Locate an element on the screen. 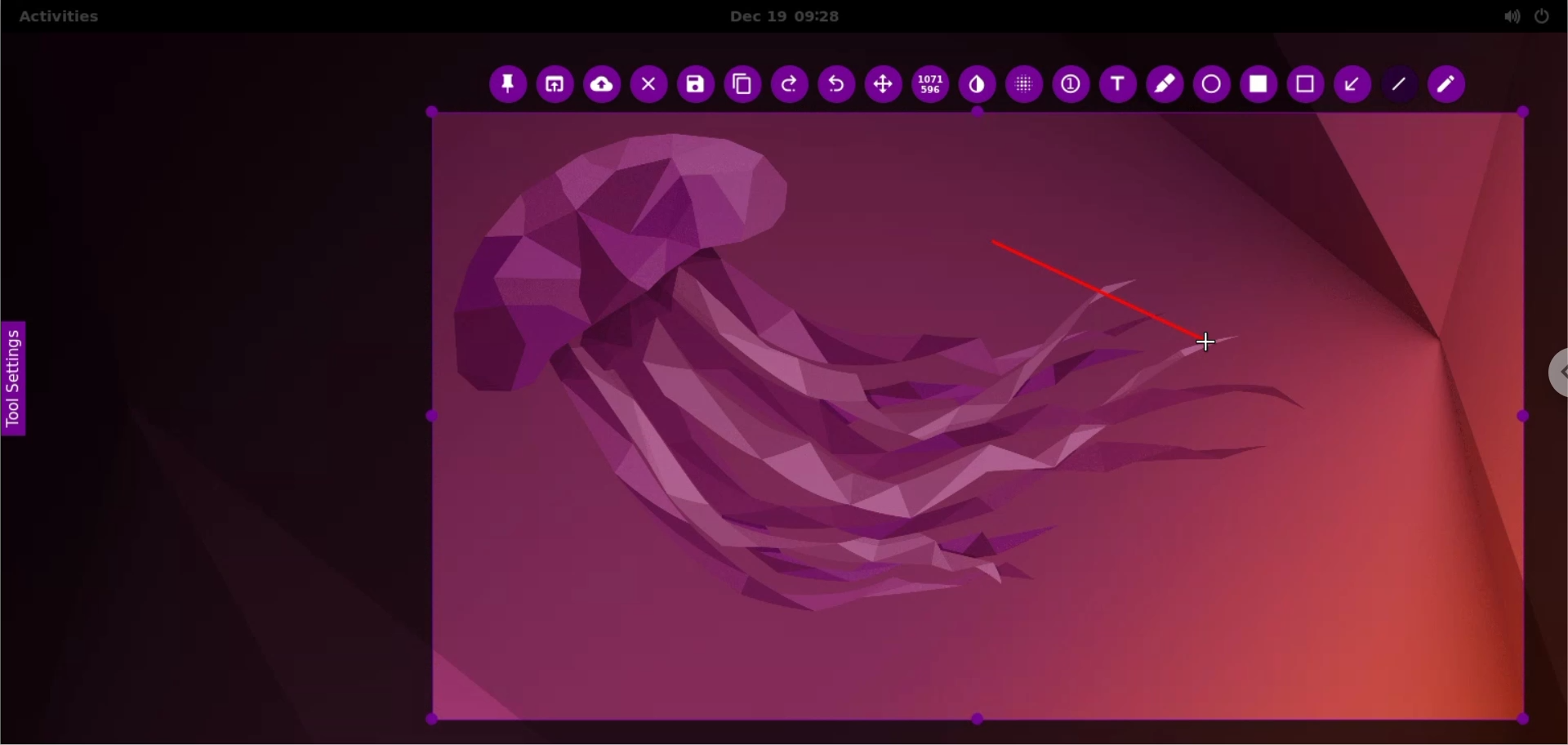 The width and height of the screenshot is (1568, 745). arrow is located at coordinates (1350, 83).